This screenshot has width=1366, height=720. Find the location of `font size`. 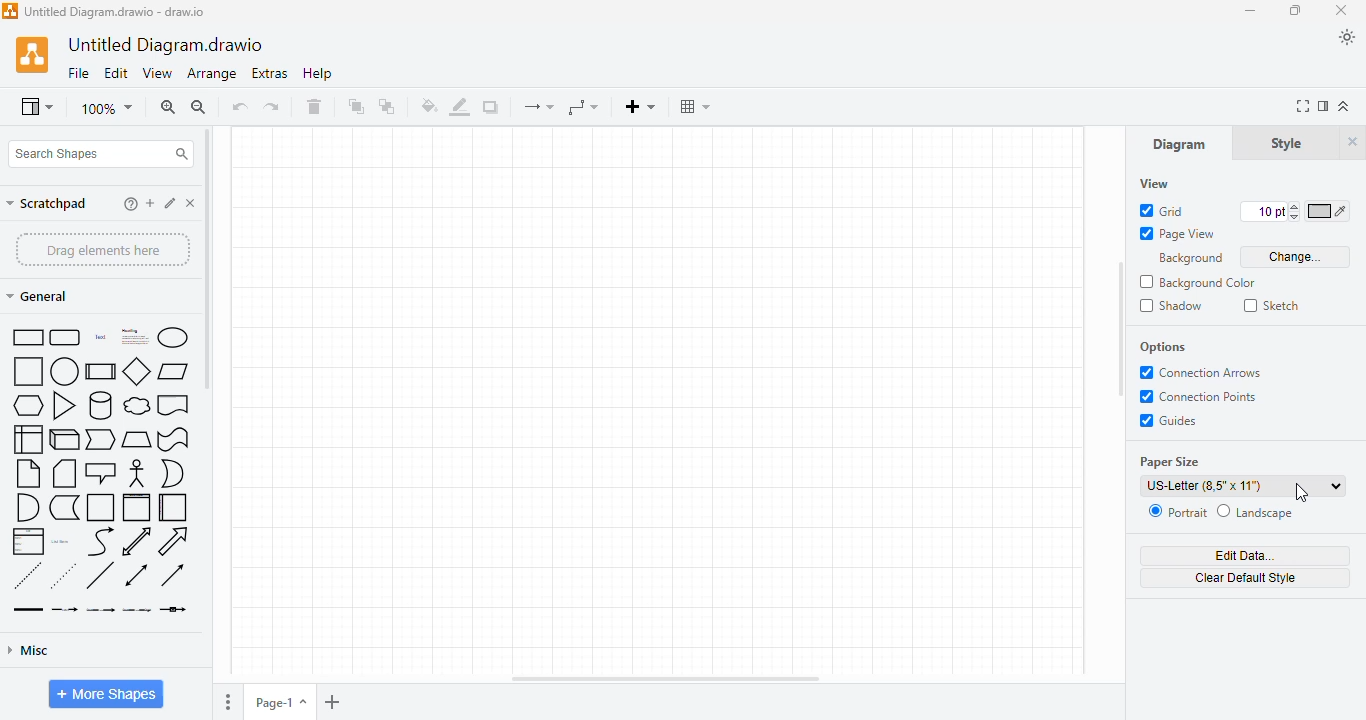

font size is located at coordinates (1270, 211).